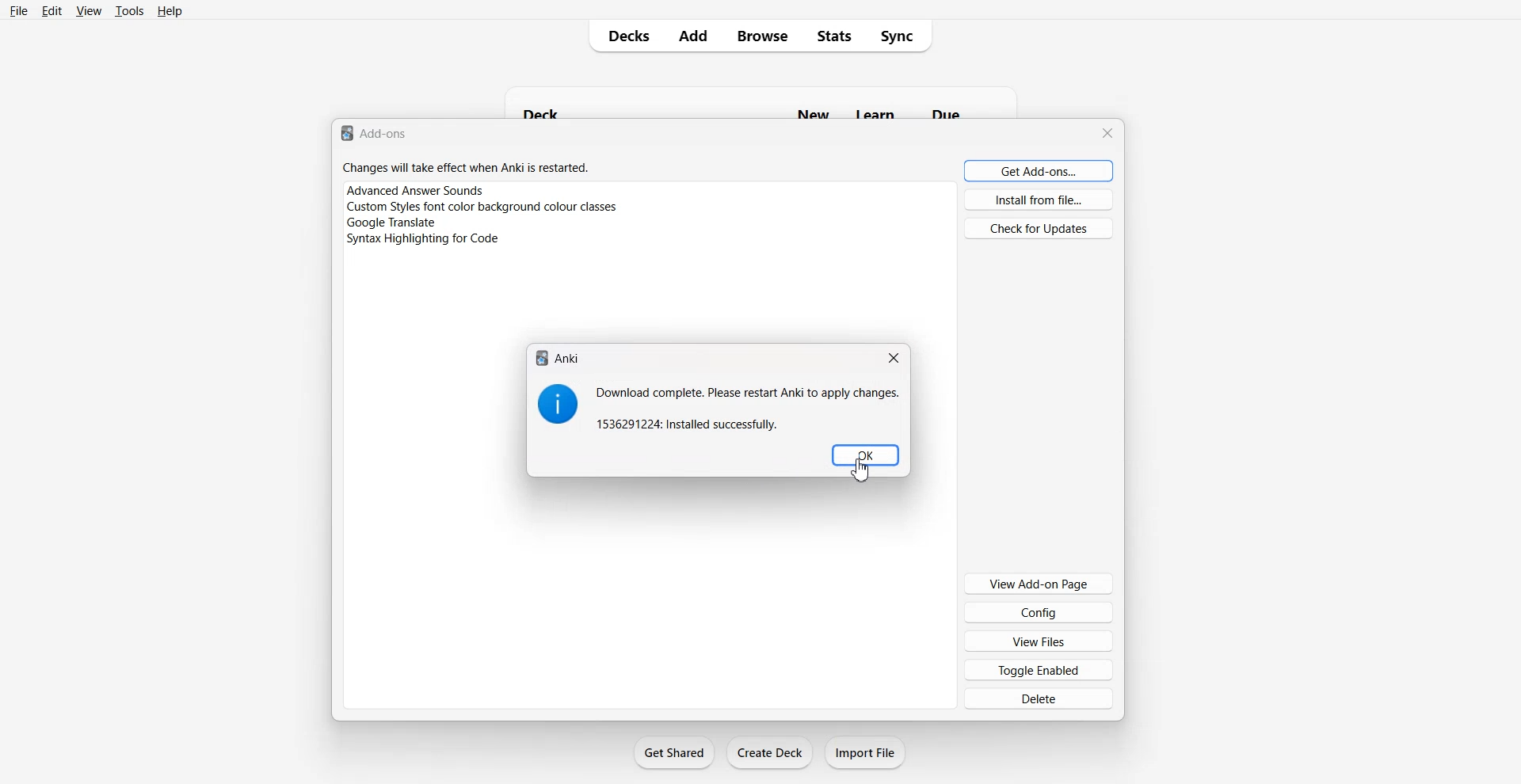 The height and width of the screenshot is (784, 1521). I want to click on Install from file, so click(1039, 200).